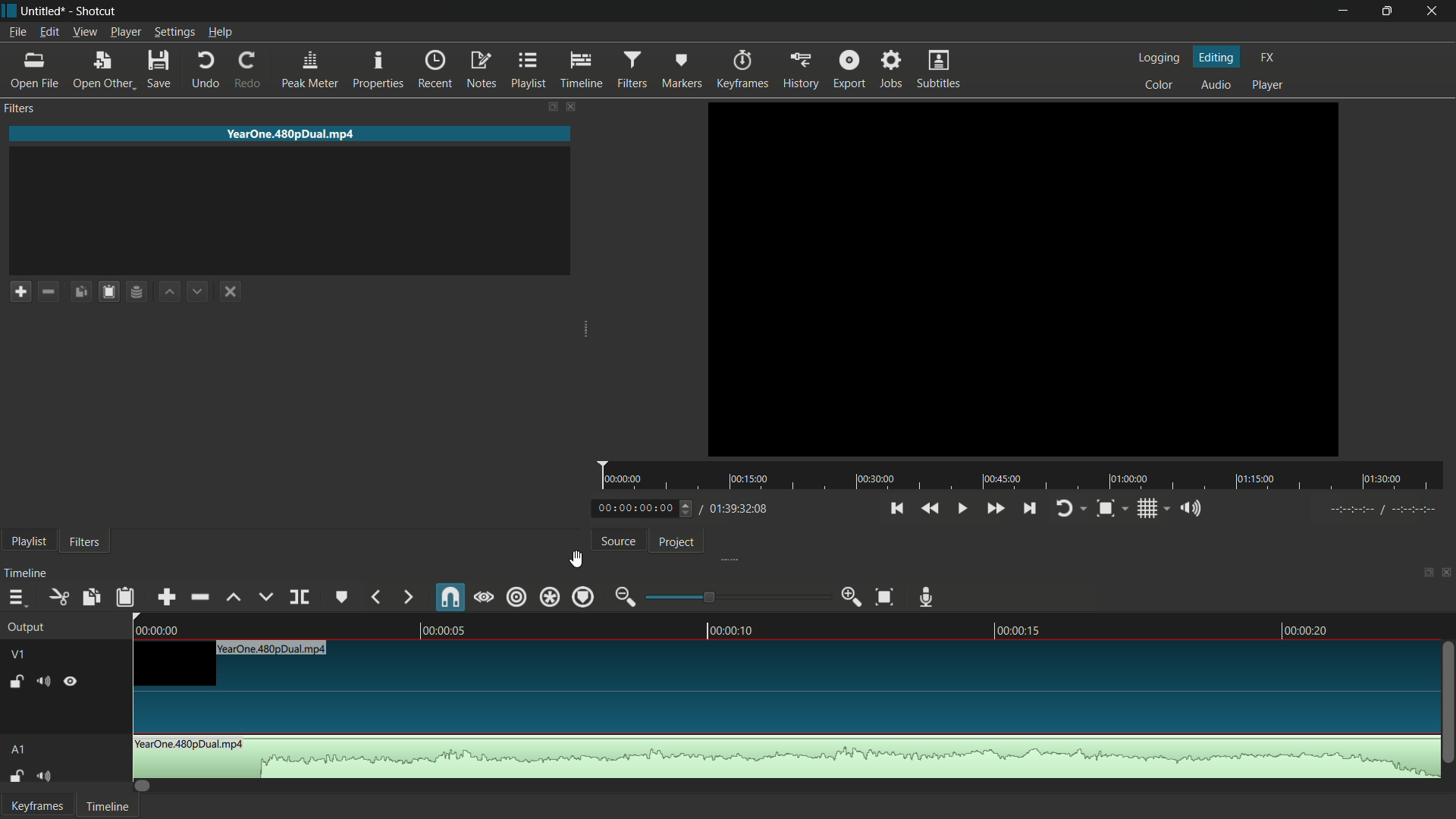 The image size is (1456, 819). What do you see at coordinates (617, 543) in the screenshot?
I see `source` at bounding box center [617, 543].